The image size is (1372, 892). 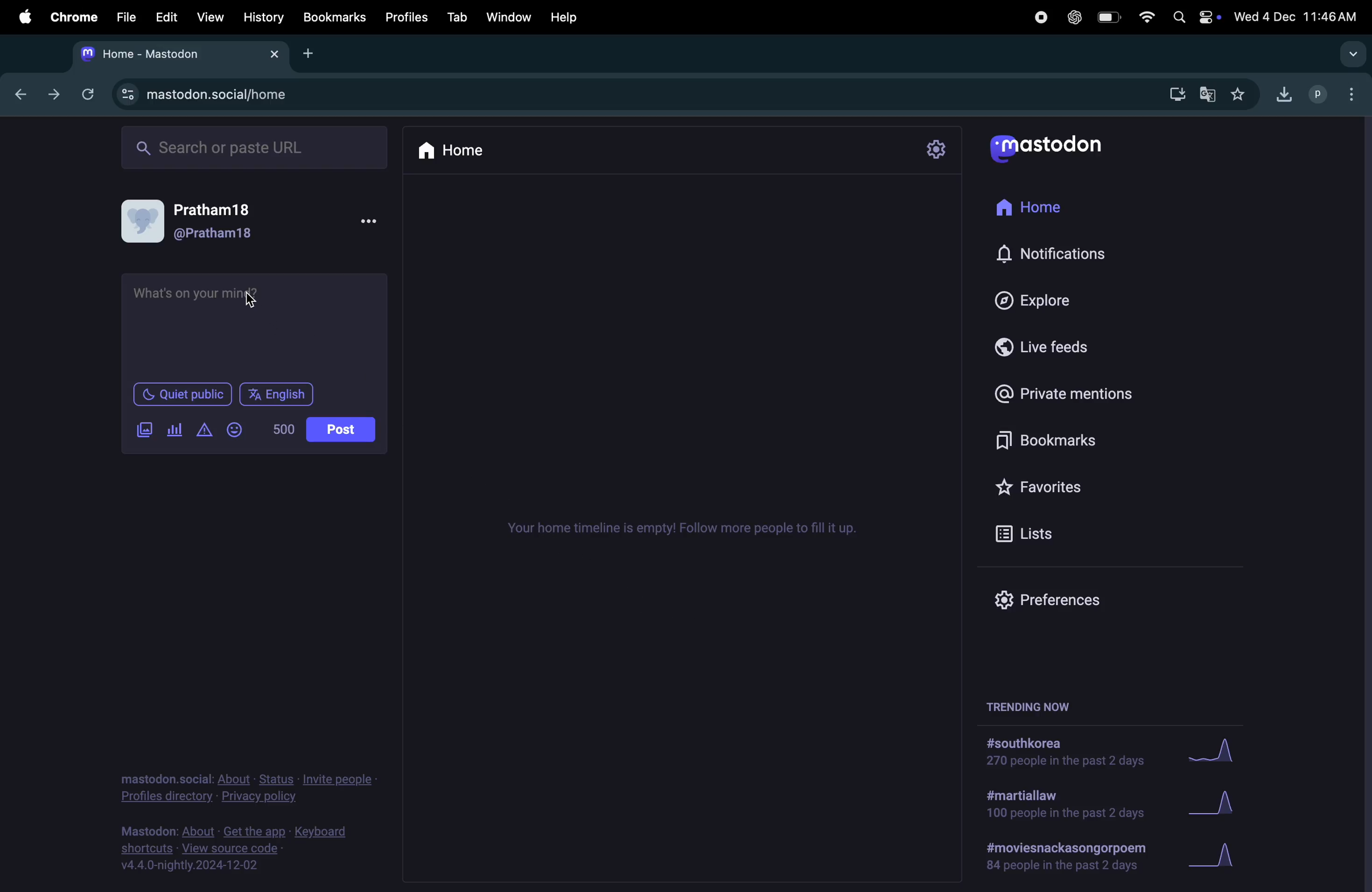 What do you see at coordinates (568, 17) in the screenshot?
I see `Help` at bounding box center [568, 17].